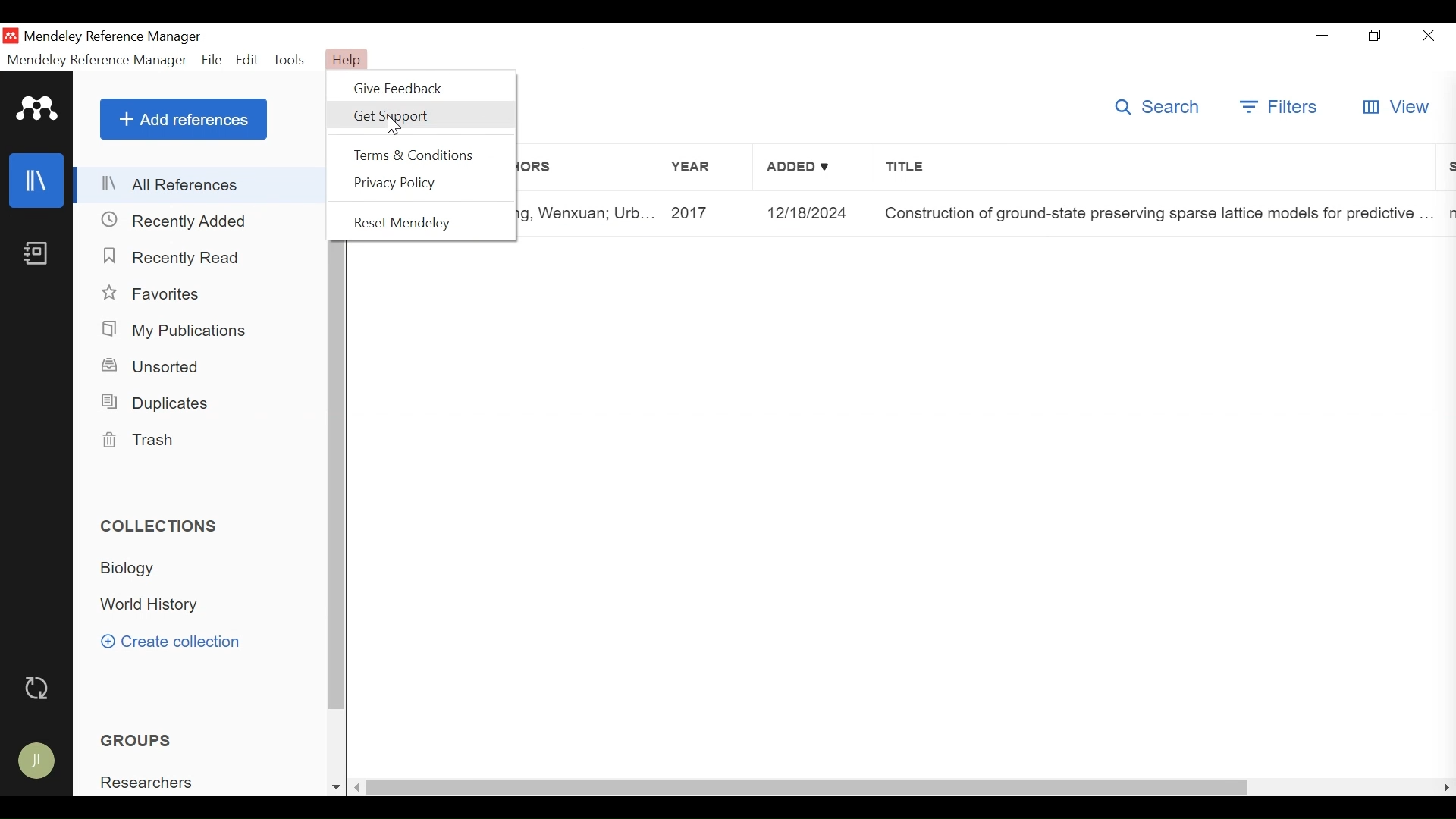 This screenshot has width=1456, height=819. What do you see at coordinates (37, 689) in the screenshot?
I see `Sync` at bounding box center [37, 689].